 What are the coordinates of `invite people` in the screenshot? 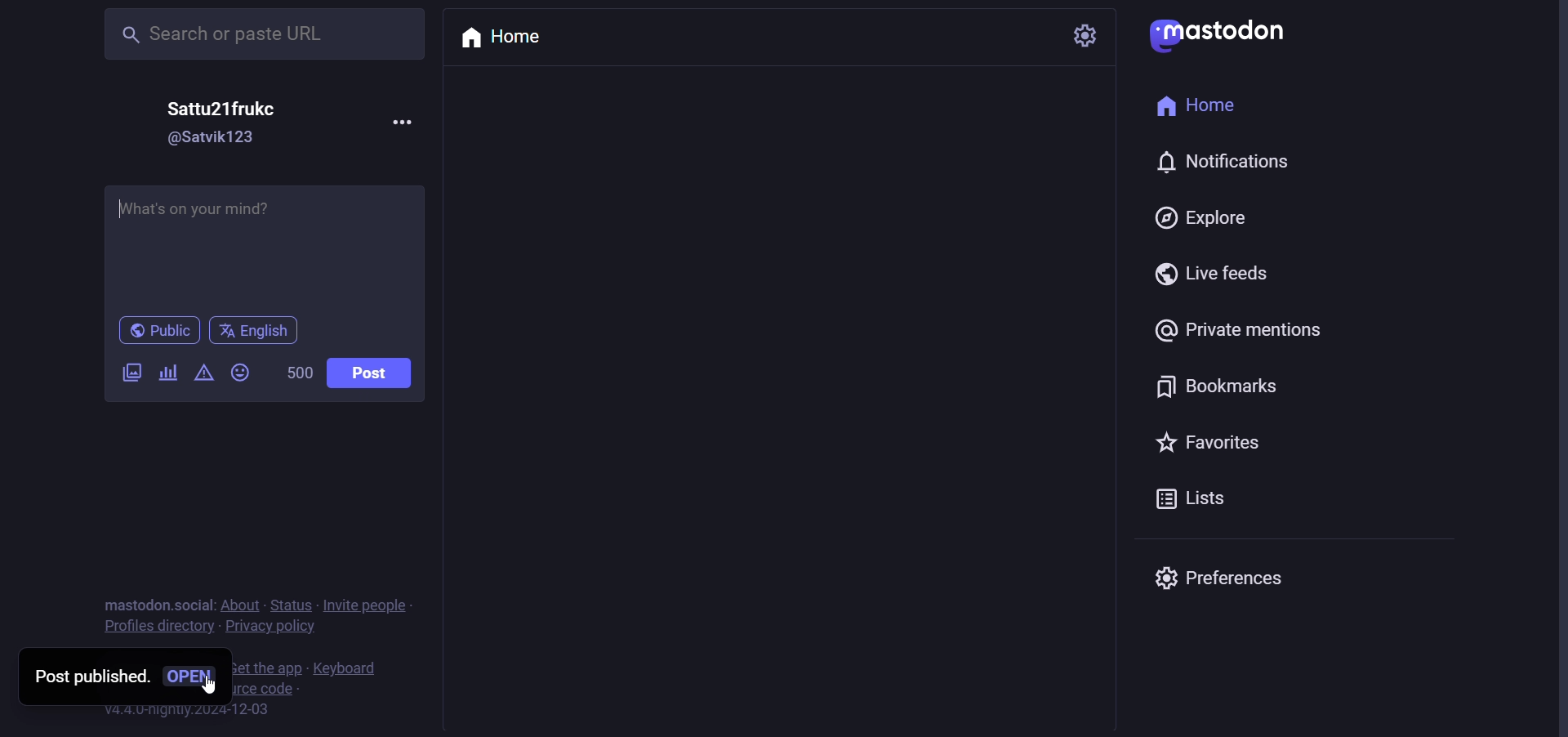 It's located at (370, 604).